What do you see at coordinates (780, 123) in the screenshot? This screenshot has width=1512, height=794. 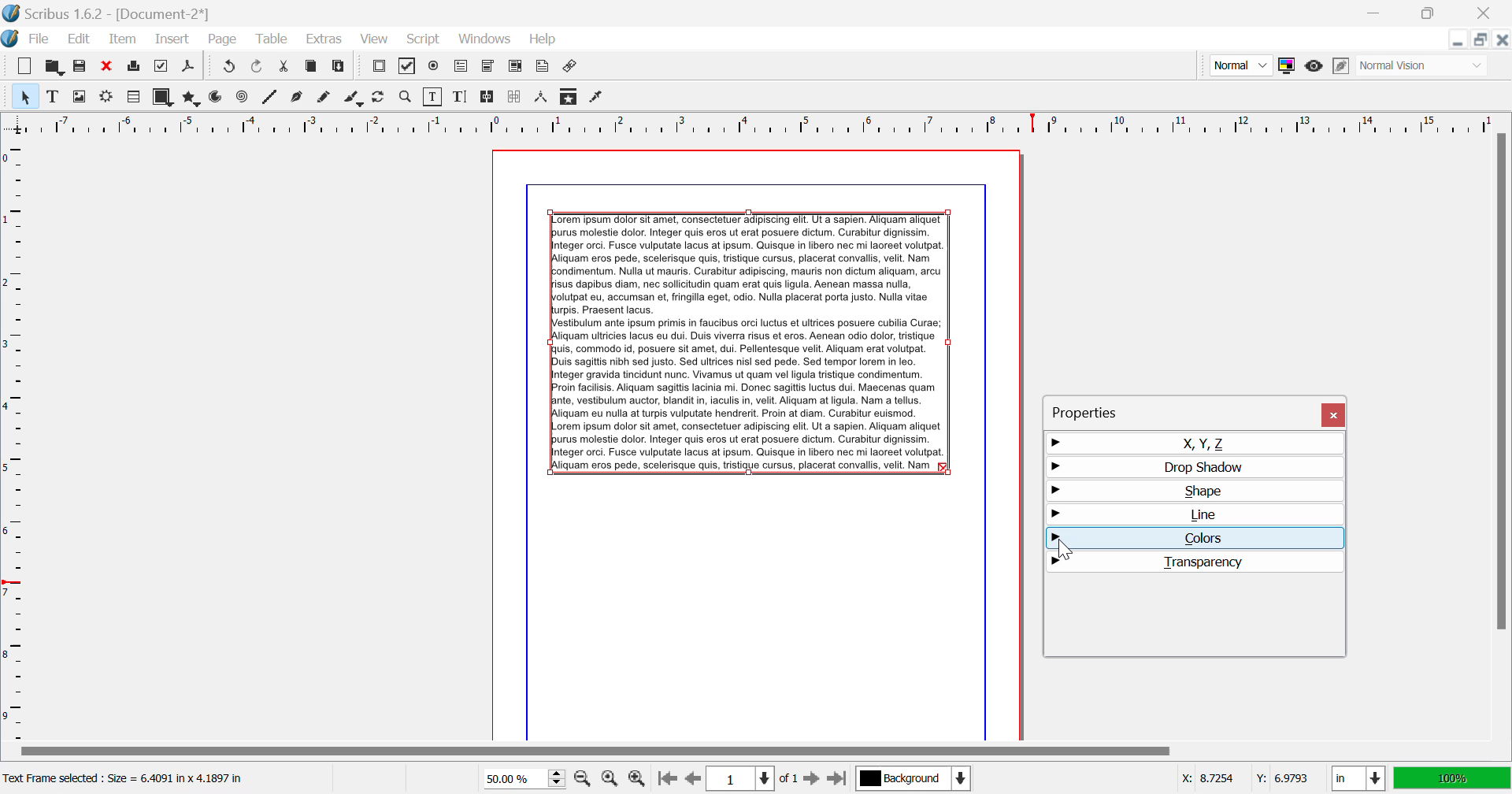 I see `Vertical Page Margin` at bounding box center [780, 123].